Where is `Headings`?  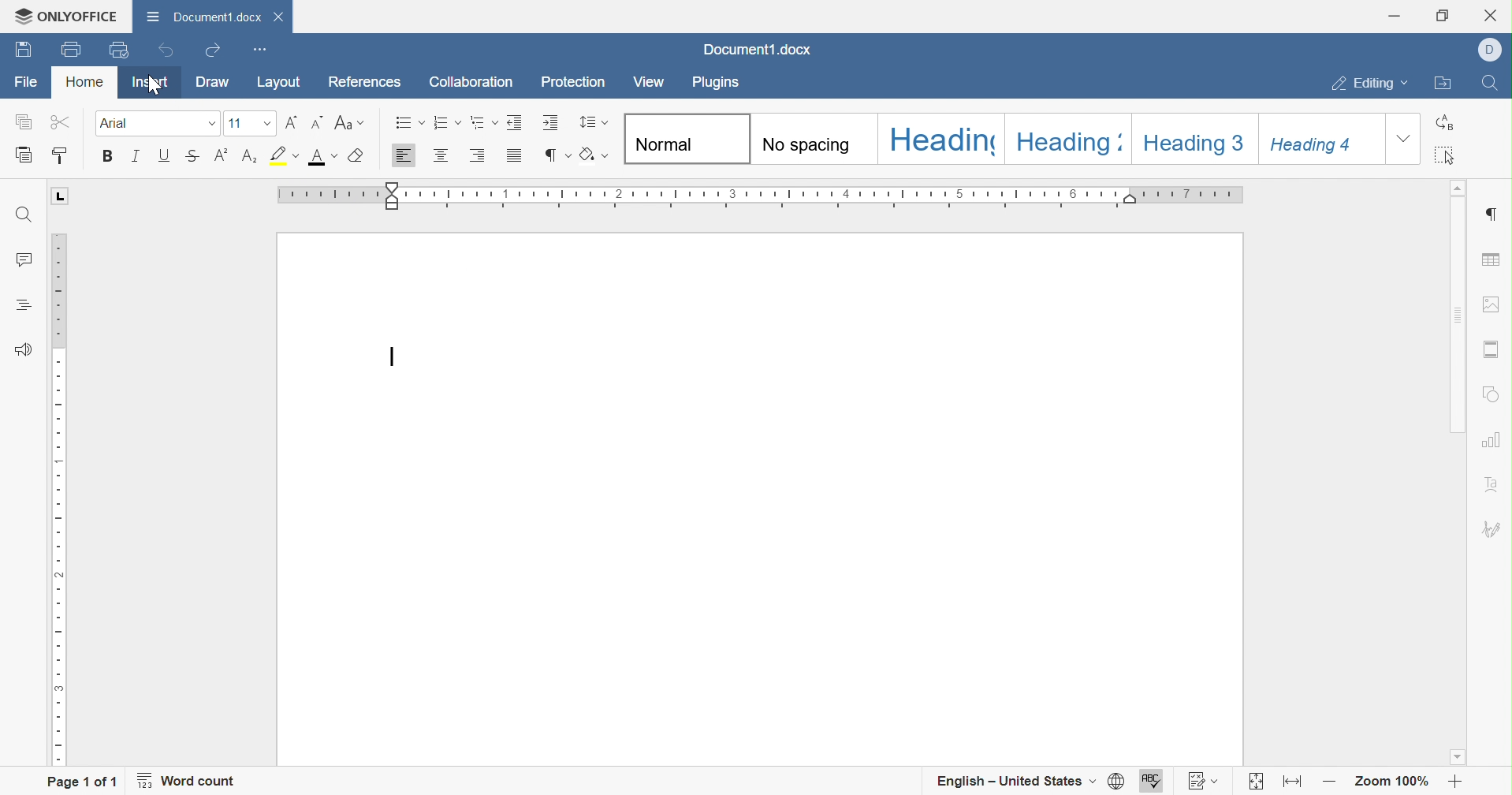 Headings is located at coordinates (26, 305).